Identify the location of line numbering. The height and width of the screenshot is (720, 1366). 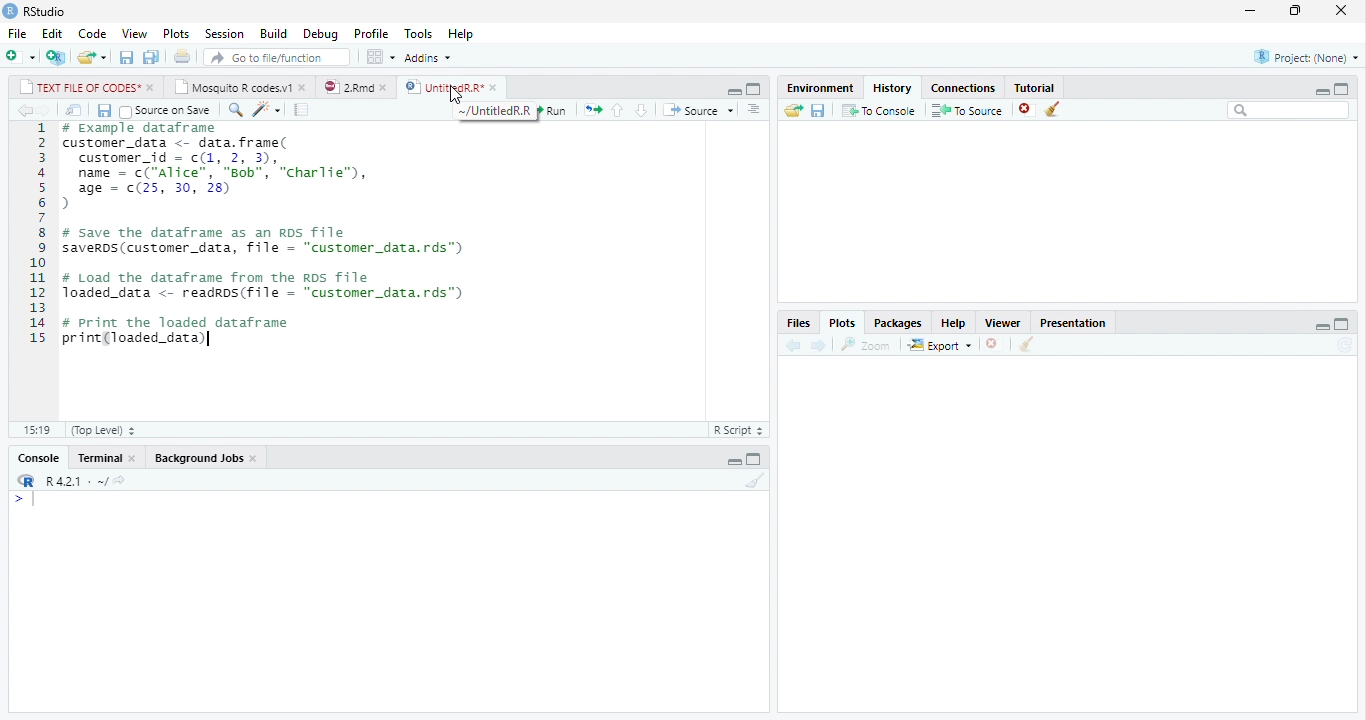
(38, 232).